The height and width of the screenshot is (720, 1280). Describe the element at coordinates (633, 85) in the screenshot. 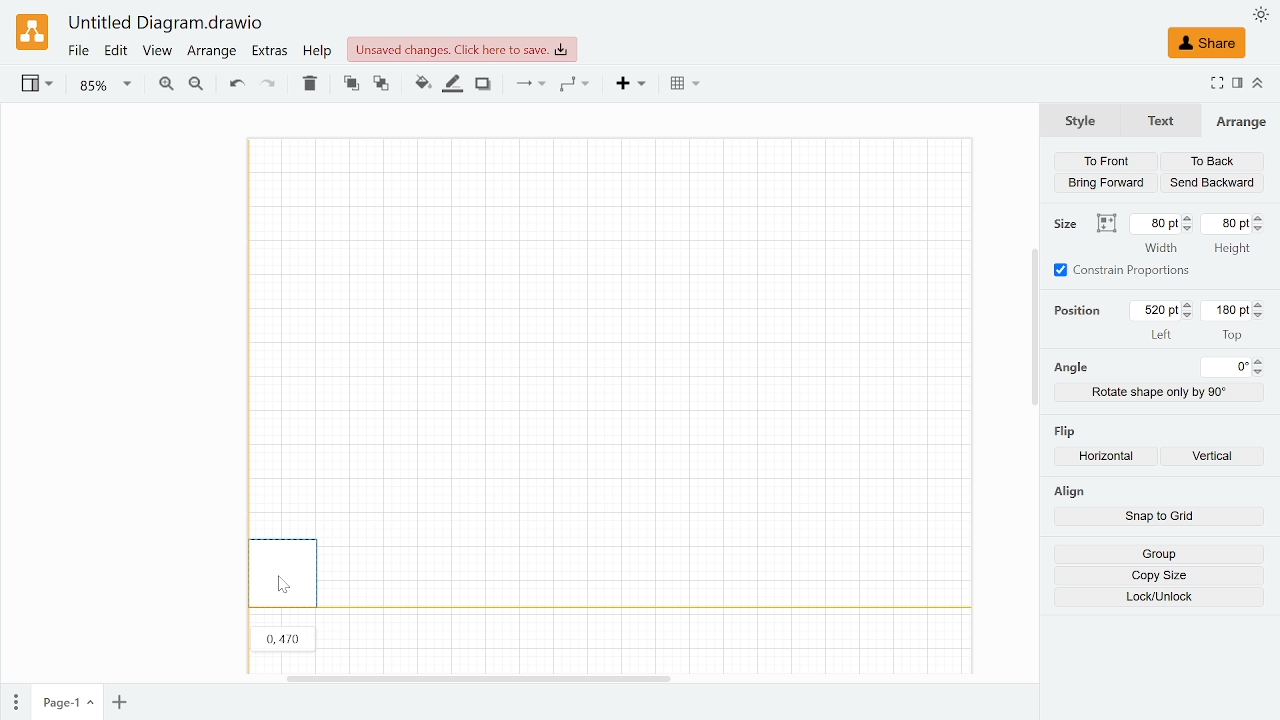

I see `Insert` at that location.